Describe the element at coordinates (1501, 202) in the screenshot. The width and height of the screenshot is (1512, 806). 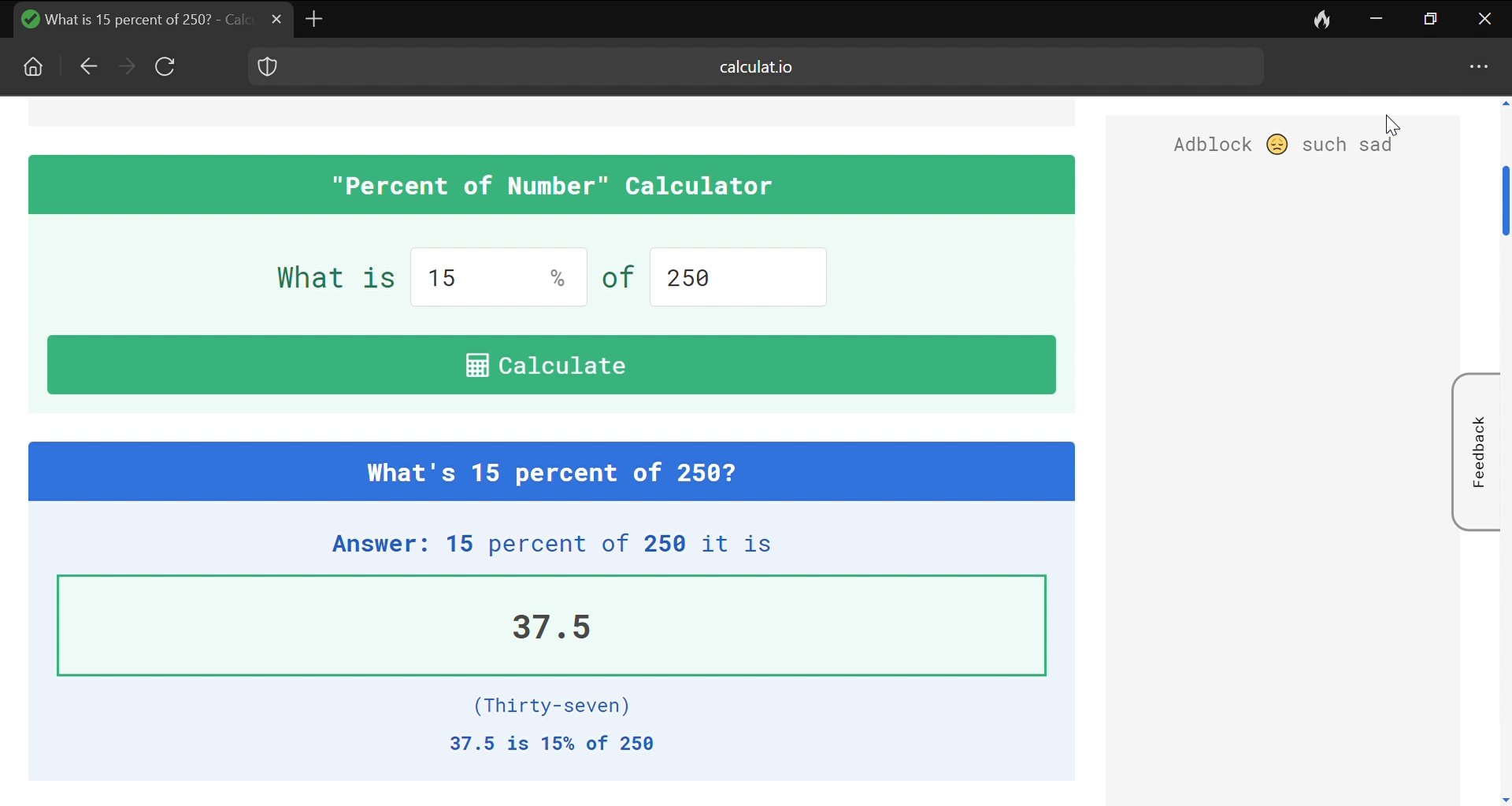
I see `Vertical scrollbar` at that location.